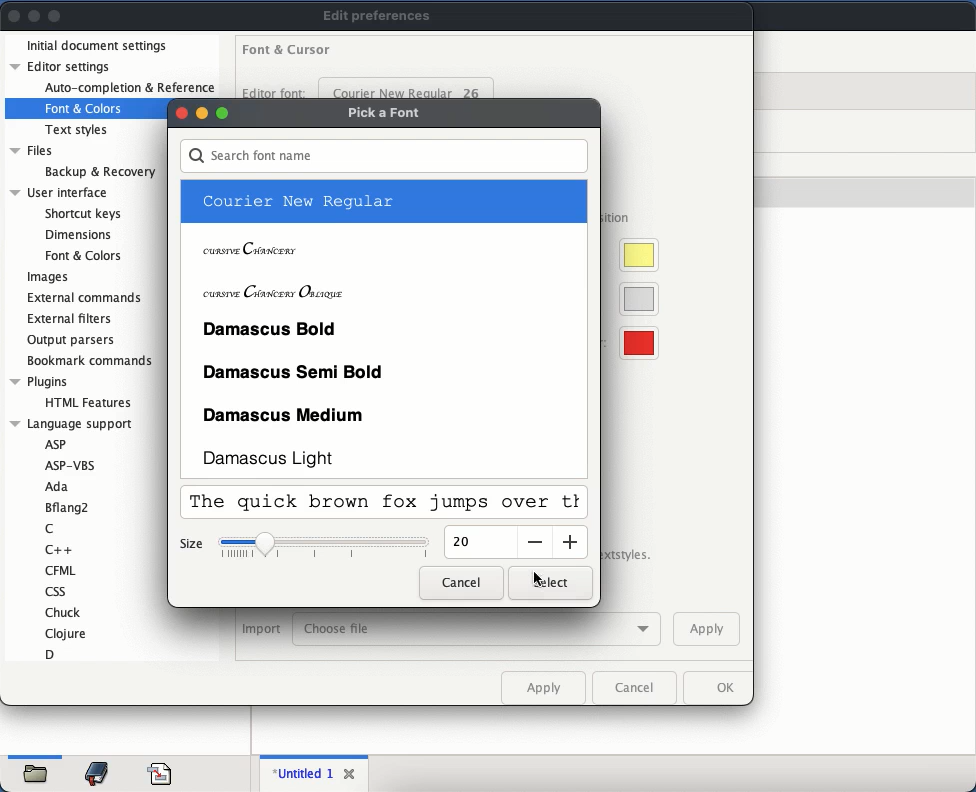  What do you see at coordinates (56, 15) in the screenshot?
I see `maximize` at bounding box center [56, 15].